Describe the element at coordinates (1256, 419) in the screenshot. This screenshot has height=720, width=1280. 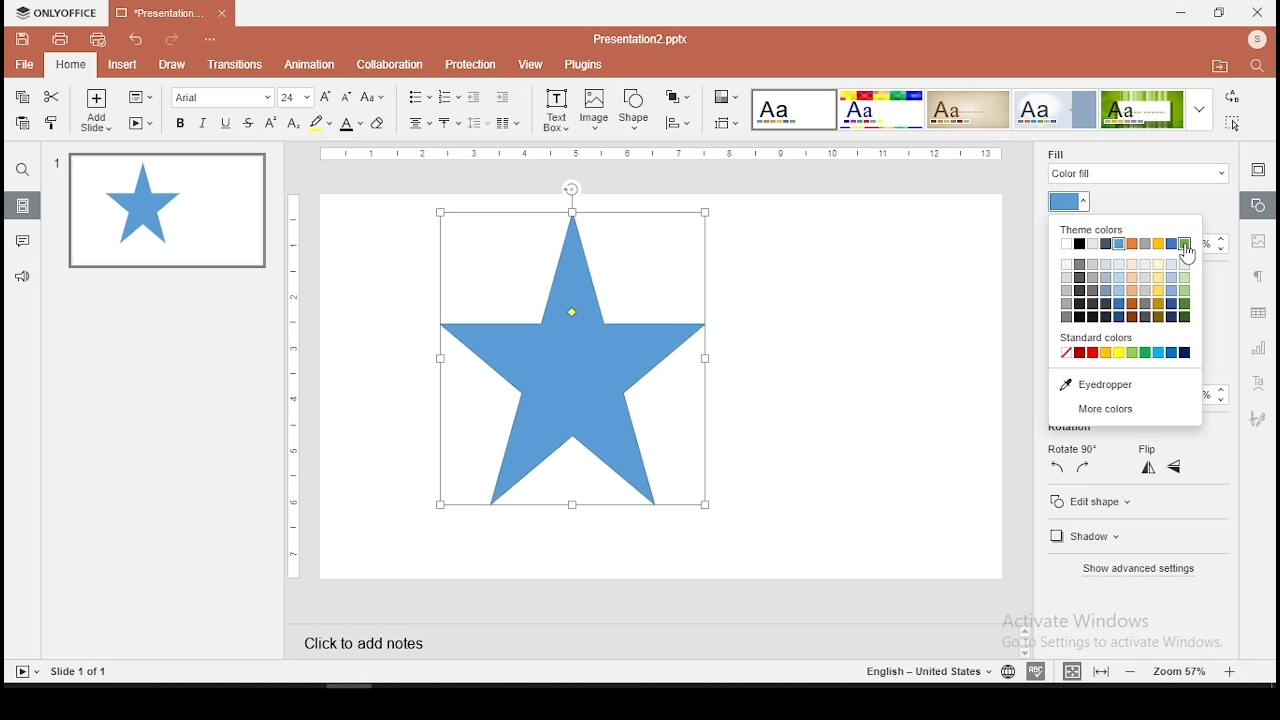
I see `` at that location.